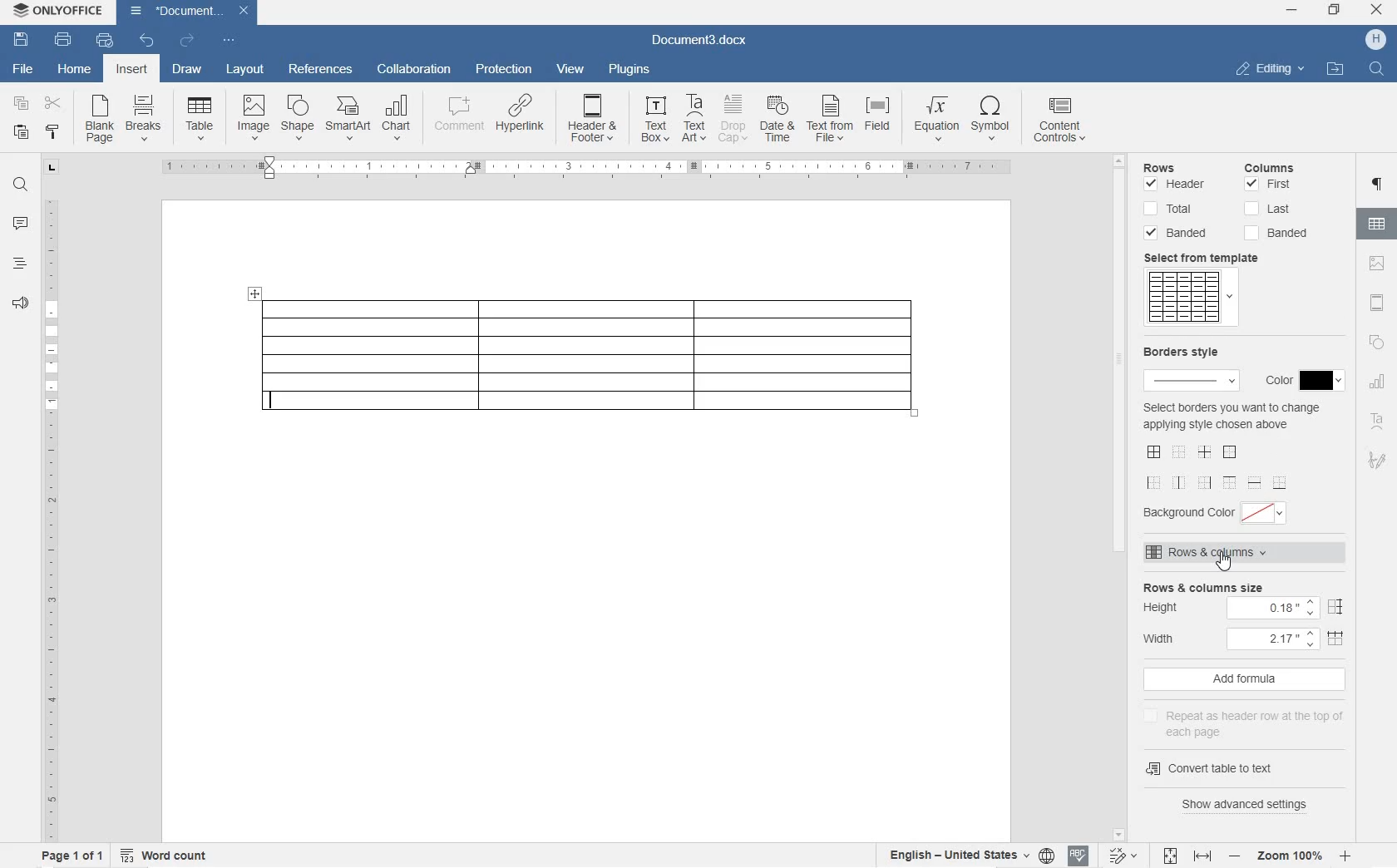 The image size is (1397, 868). I want to click on rows & columns, so click(1247, 553).